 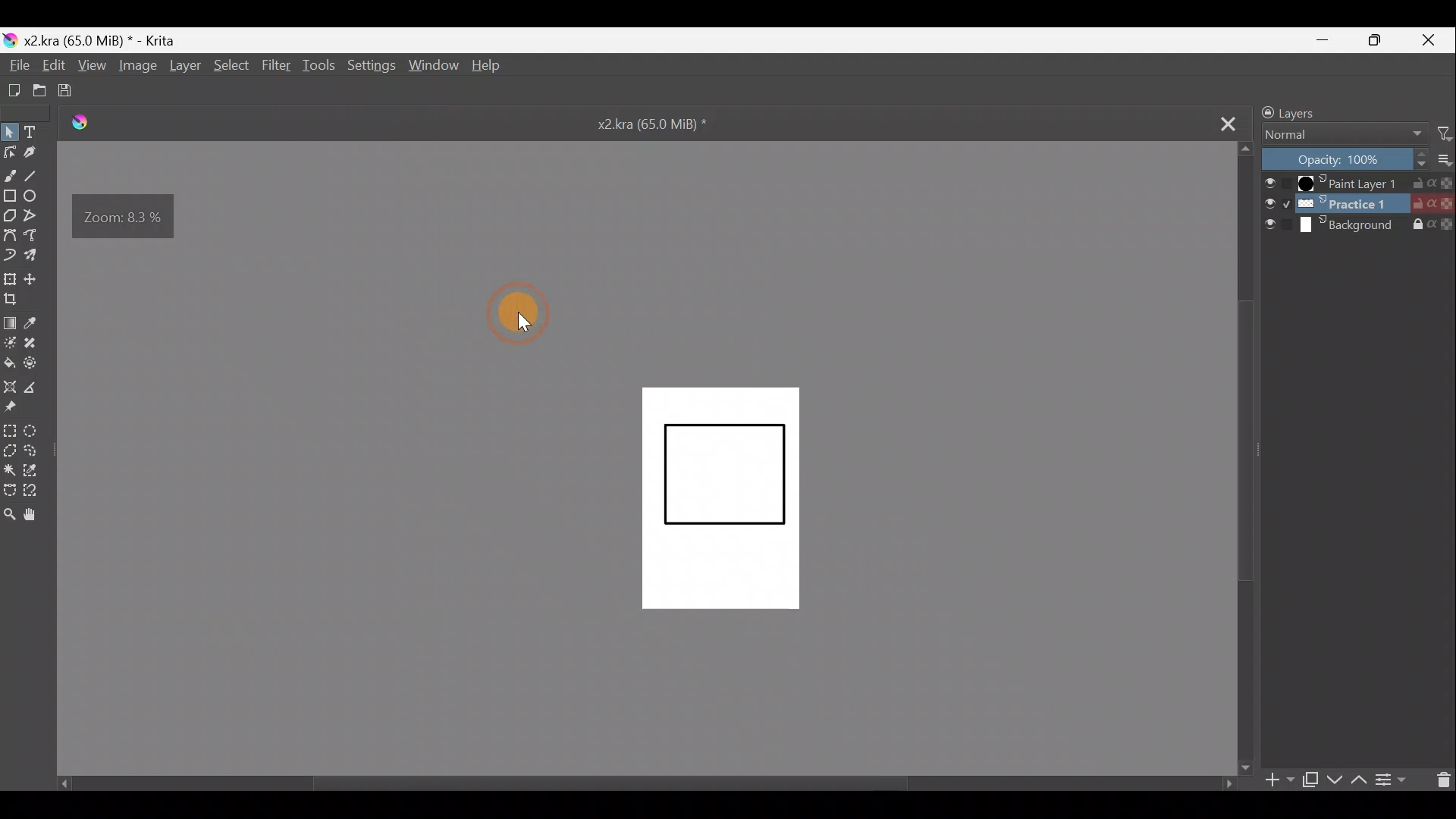 What do you see at coordinates (10, 233) in the screenshot?
I see `Bezier curve tool` at bounding box center [10, 233].